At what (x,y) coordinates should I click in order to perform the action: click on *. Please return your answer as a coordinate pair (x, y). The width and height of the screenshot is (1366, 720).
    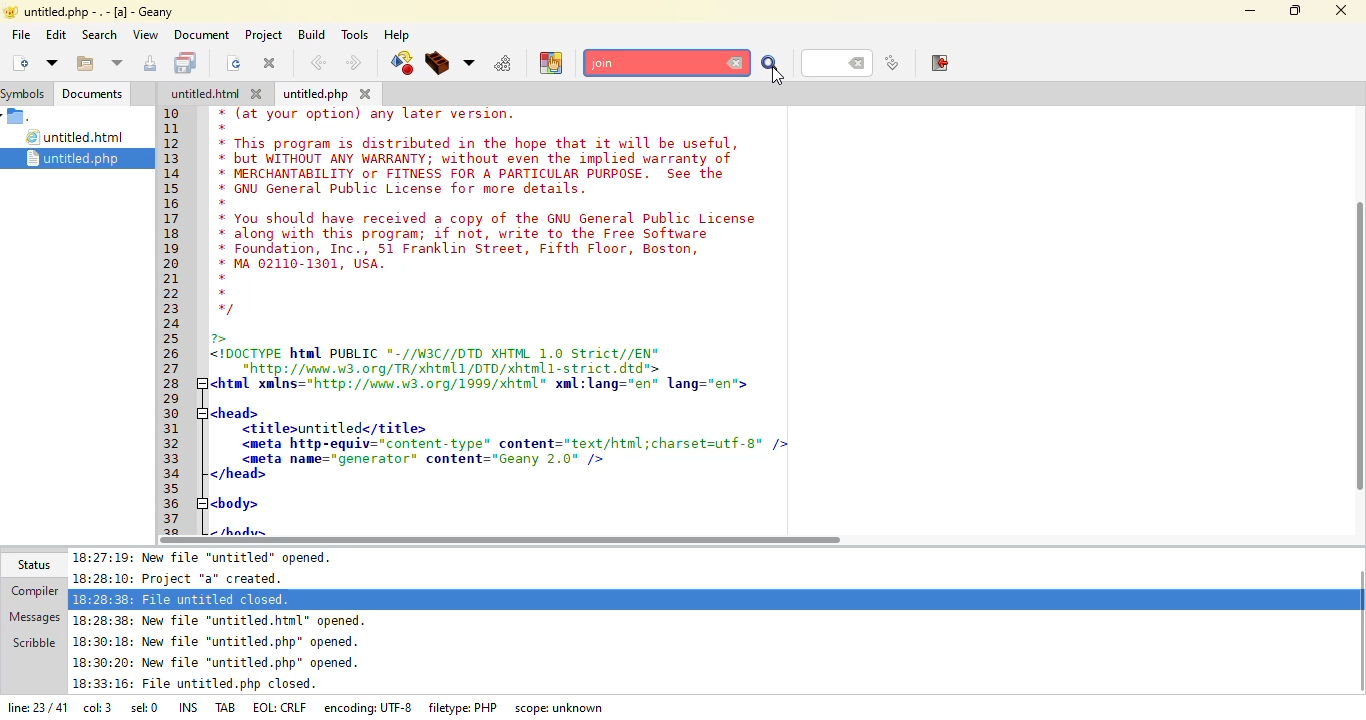
    Looking at the image, I should click on (220, 278).